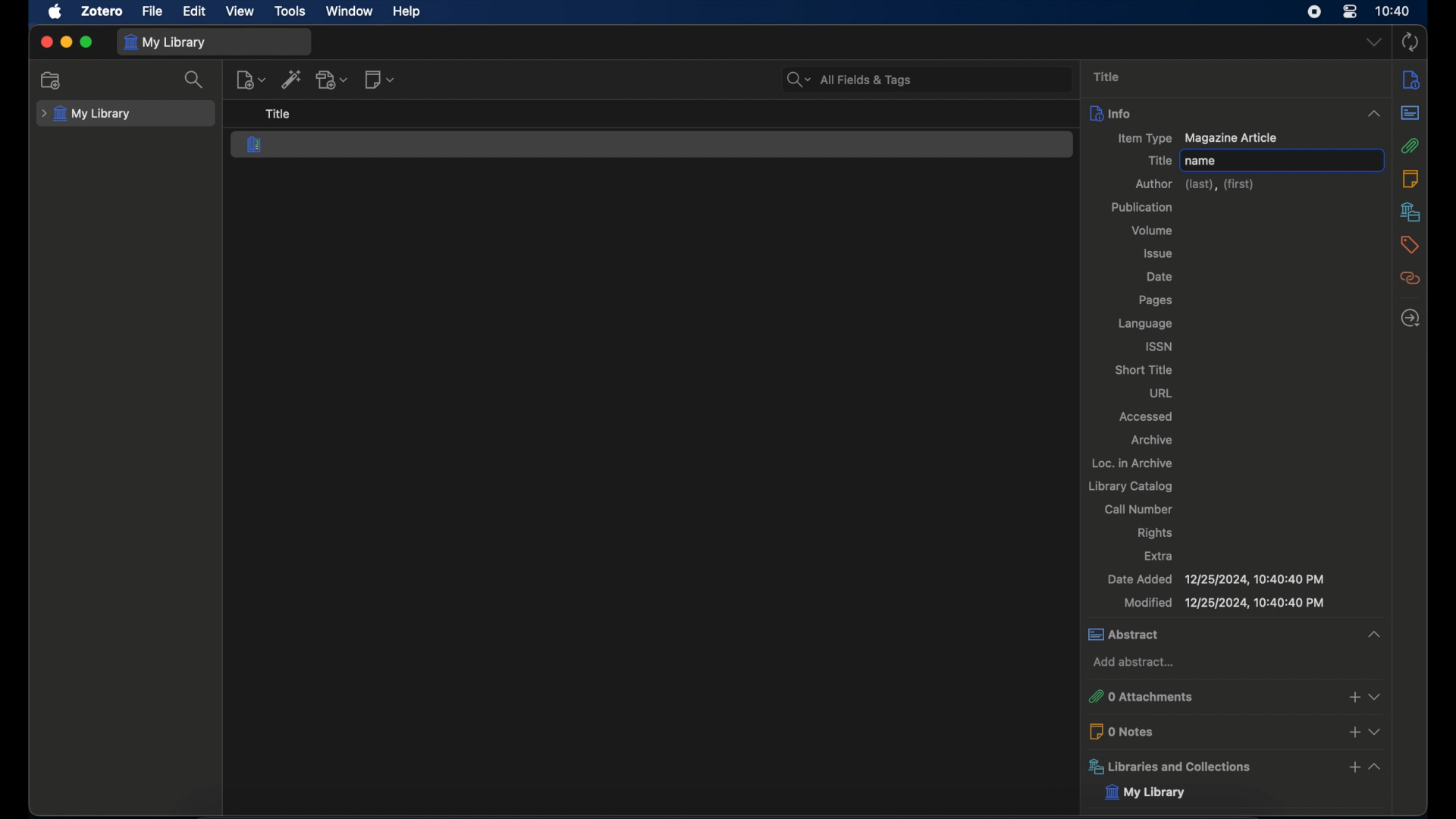 This screenshot has height=819, width=1456. I want to click on time, so click(1394, 10).